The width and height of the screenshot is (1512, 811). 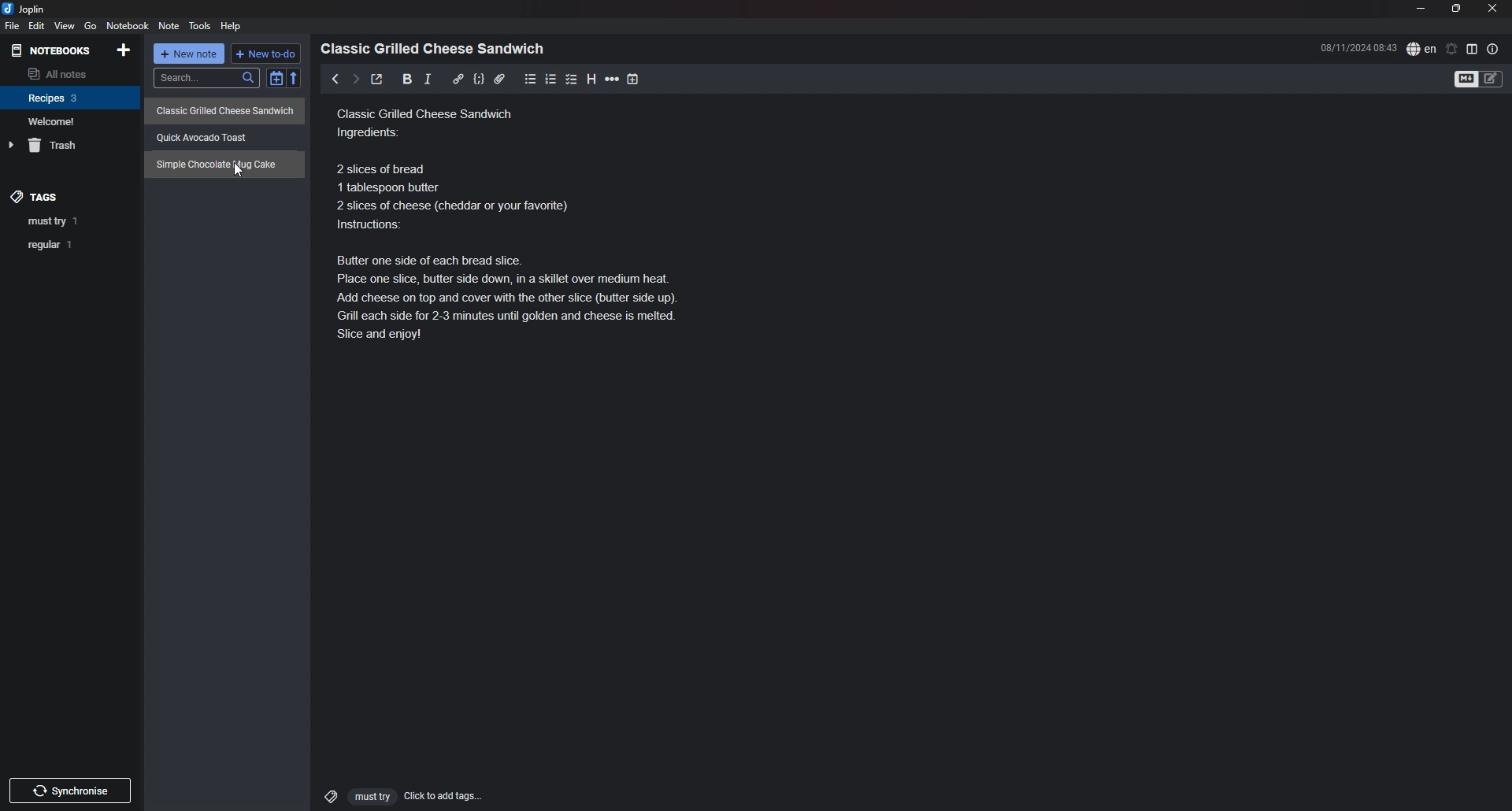 I want to click on bold, so click(x=402, y=80).